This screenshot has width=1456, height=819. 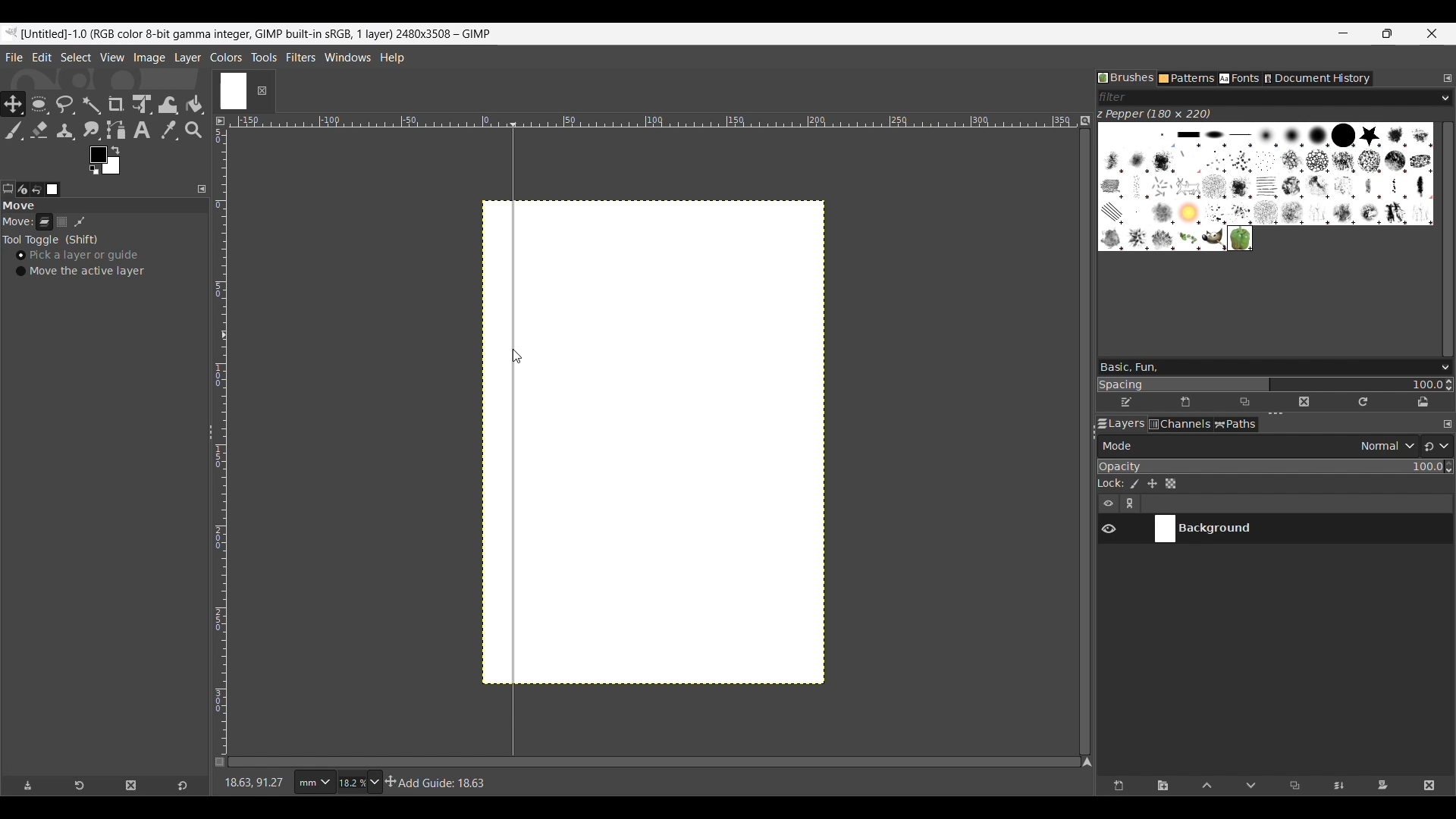 What do you see at coordinates (1118, 425) in the screenshot?
I see `Layers tab, current selection` at bounding box center [1118, 425].